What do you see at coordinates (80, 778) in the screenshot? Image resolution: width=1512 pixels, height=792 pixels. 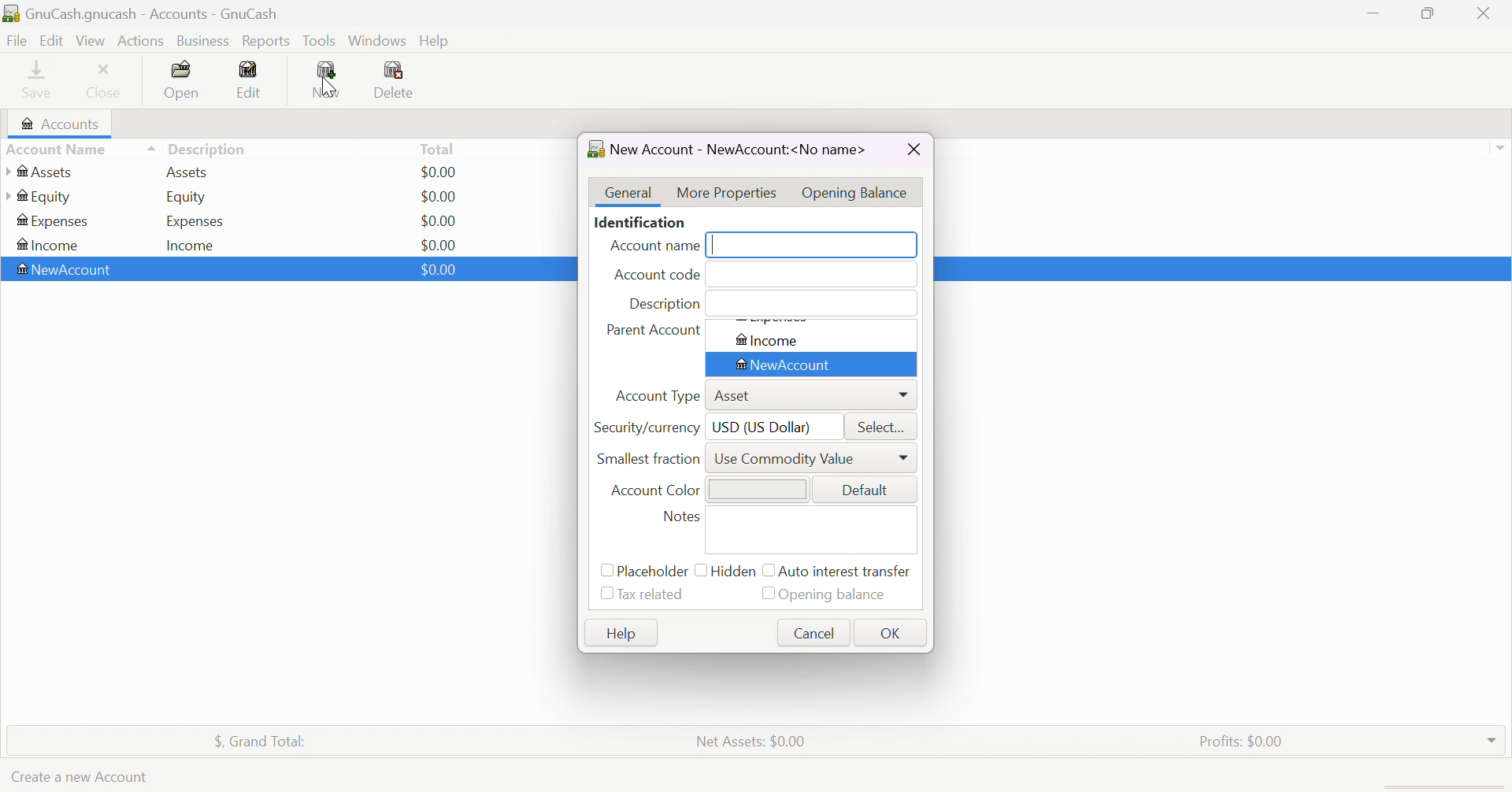 I see `Create a new Account` at bounding box center [80, 778].